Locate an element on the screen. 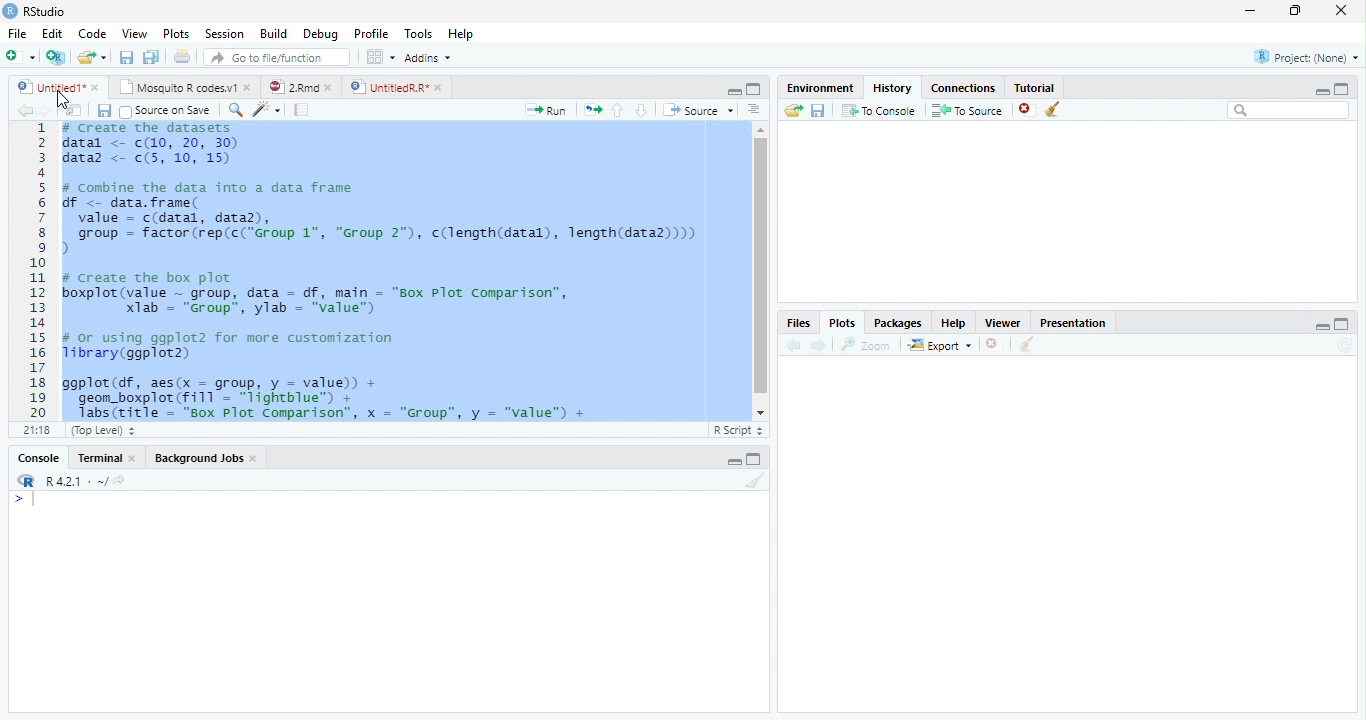  Show document outline is located at coordinates (754, 109).